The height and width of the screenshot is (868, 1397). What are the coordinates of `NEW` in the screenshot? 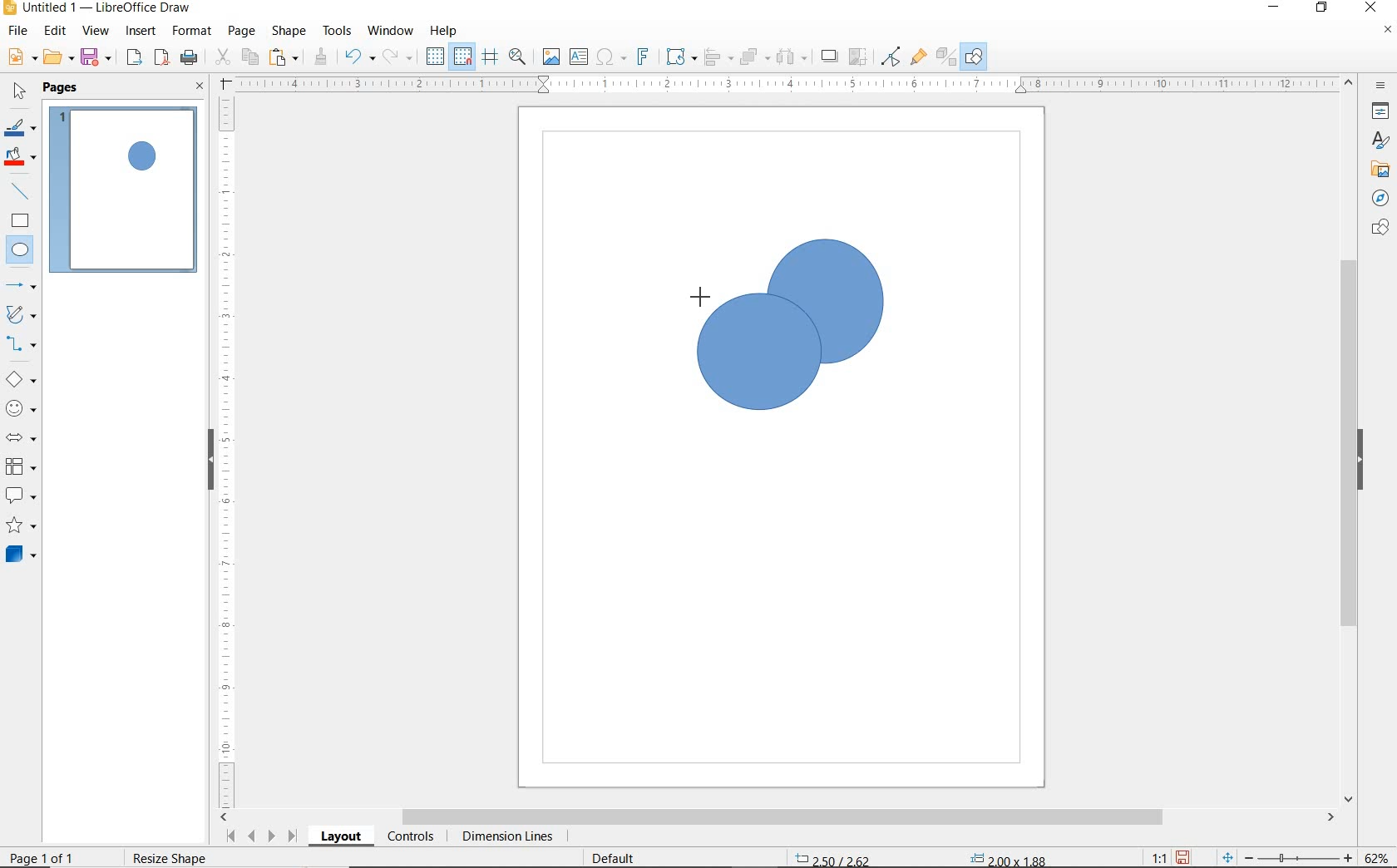 It's located at (20, 57).